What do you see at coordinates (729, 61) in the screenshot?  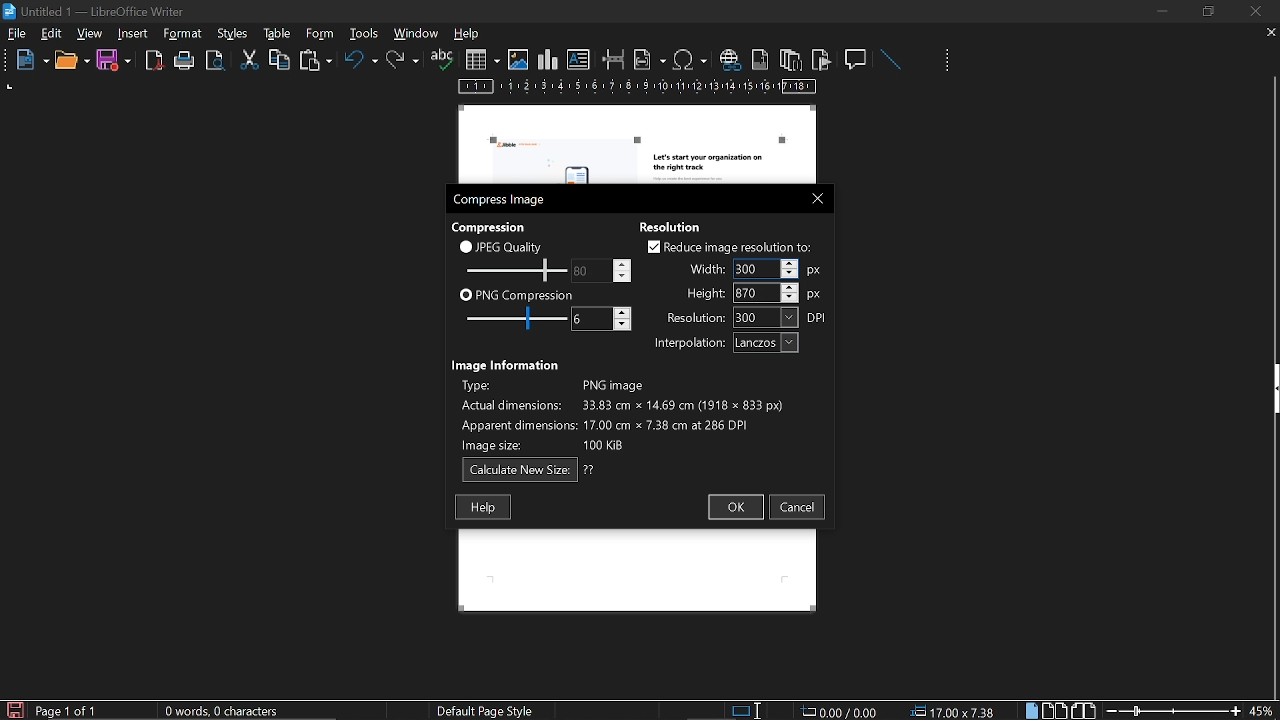 I see `insert hyperlink` at bounding box center [729, 61].